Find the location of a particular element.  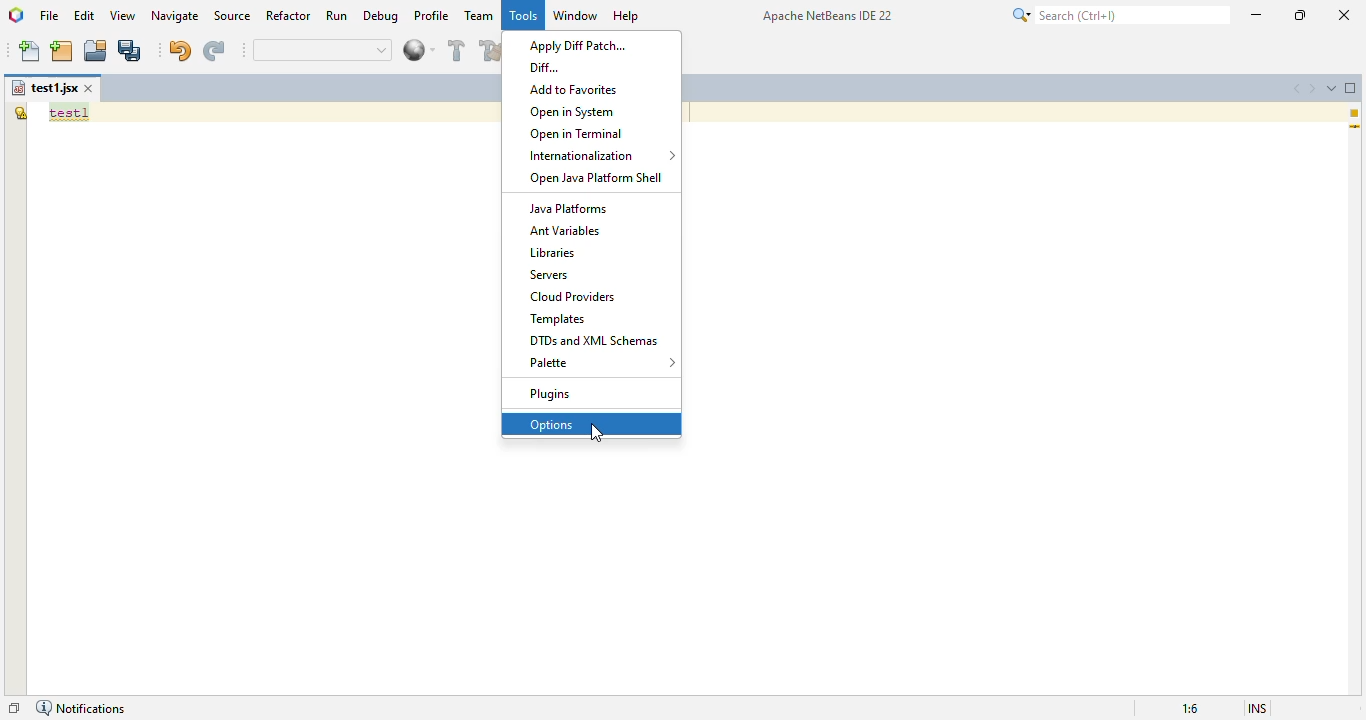

tools is located at coordinates (523, 16).